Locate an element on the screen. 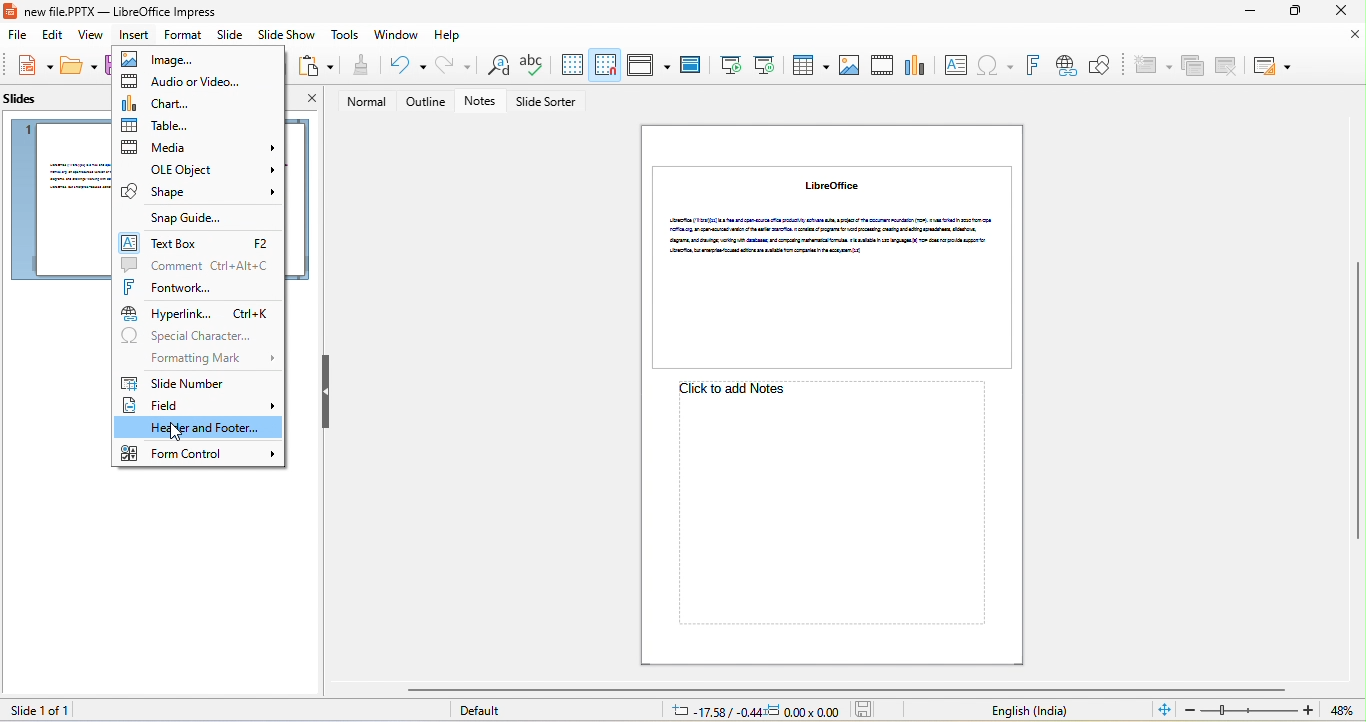 Image resolution: width=1366 pixels, height=722 pixels. zoom is located at coordinates (1250, 710).